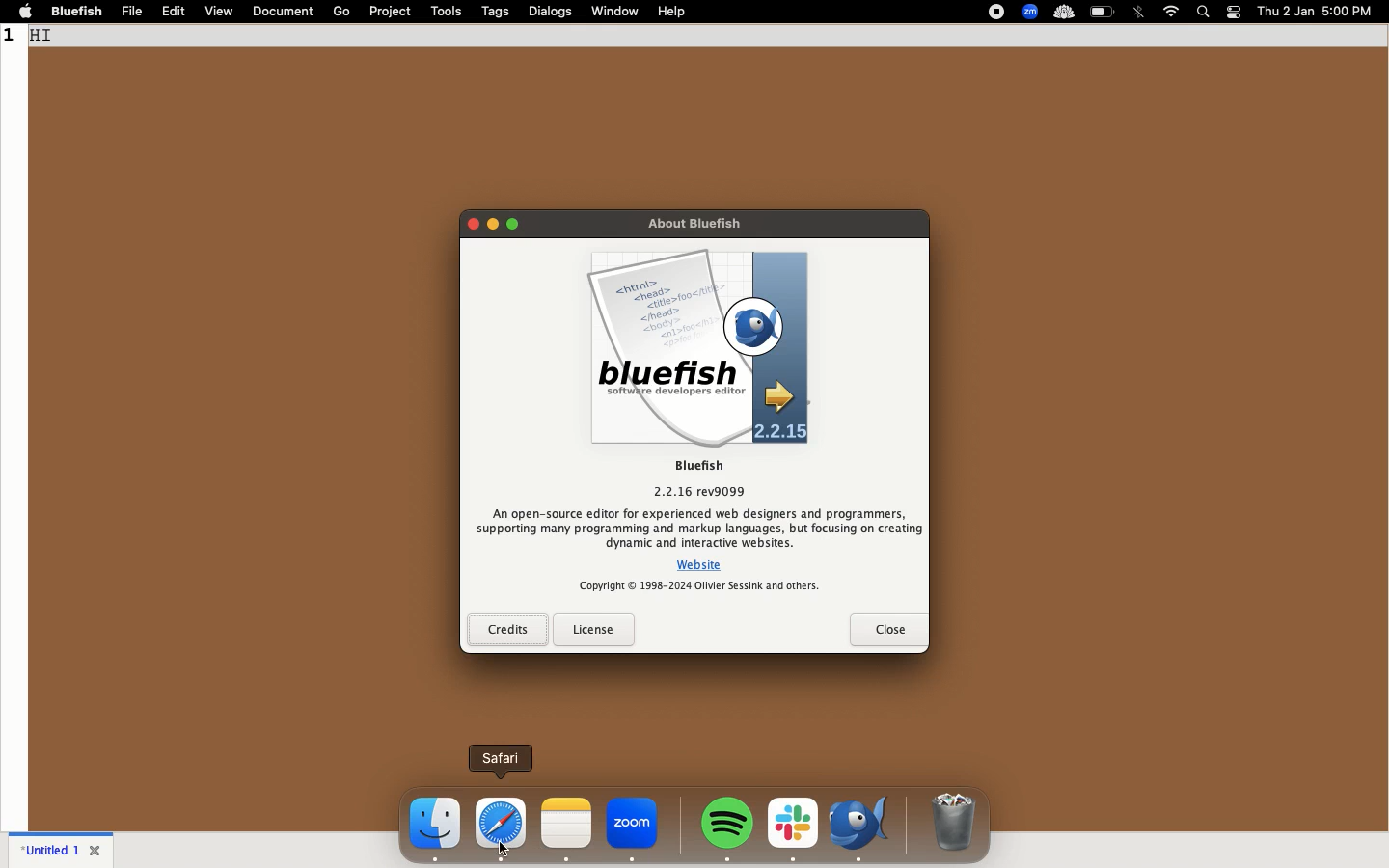 The width and height of the screenshot is (1389, 868). Describe the element at coordinates (51, 852) in the screenshot. I see `untitled 1` at that location.